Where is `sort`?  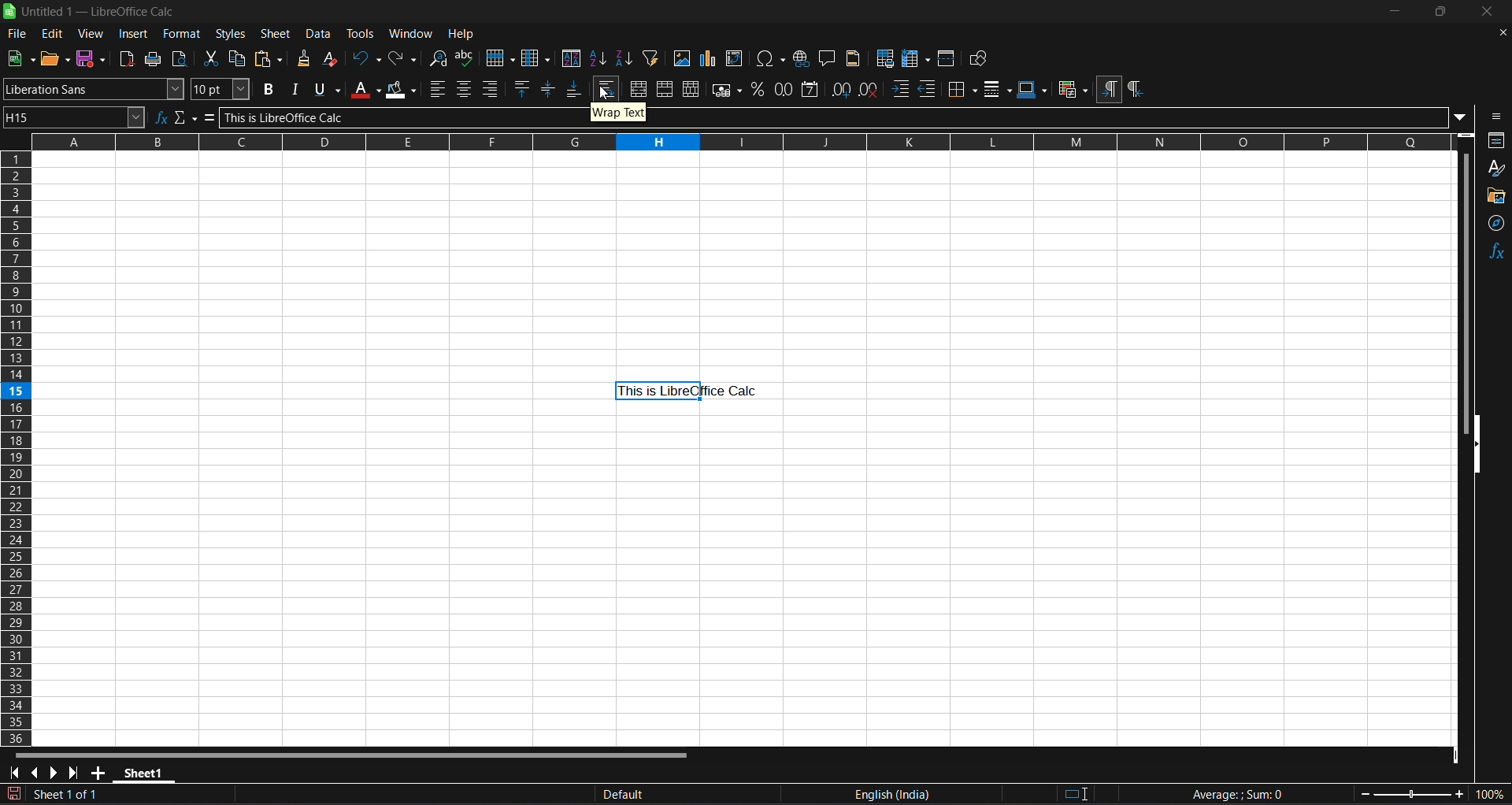 sort is located at coordinates (573, 57).